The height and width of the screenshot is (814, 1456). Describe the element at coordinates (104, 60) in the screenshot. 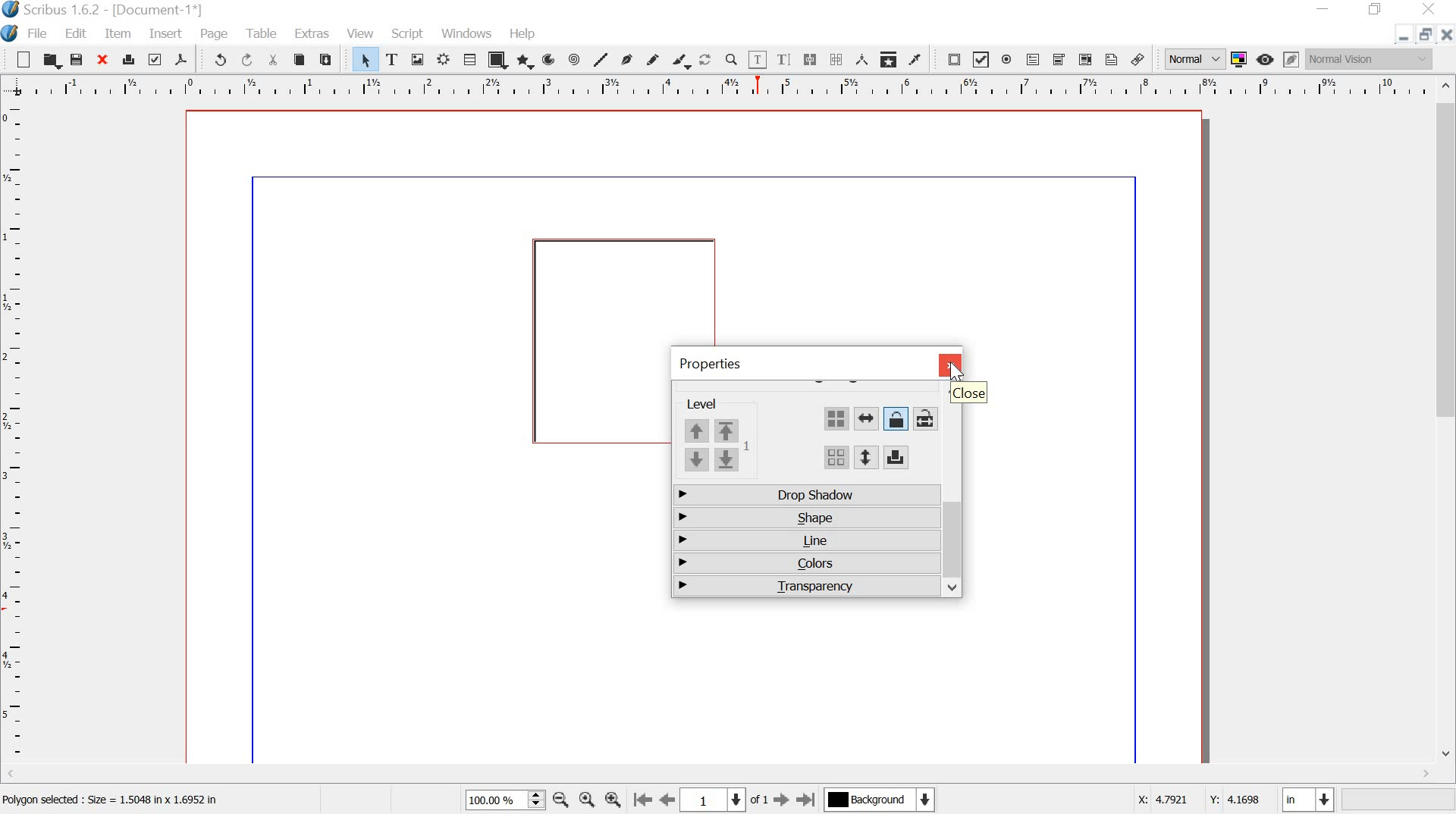

I see `close` at that location.